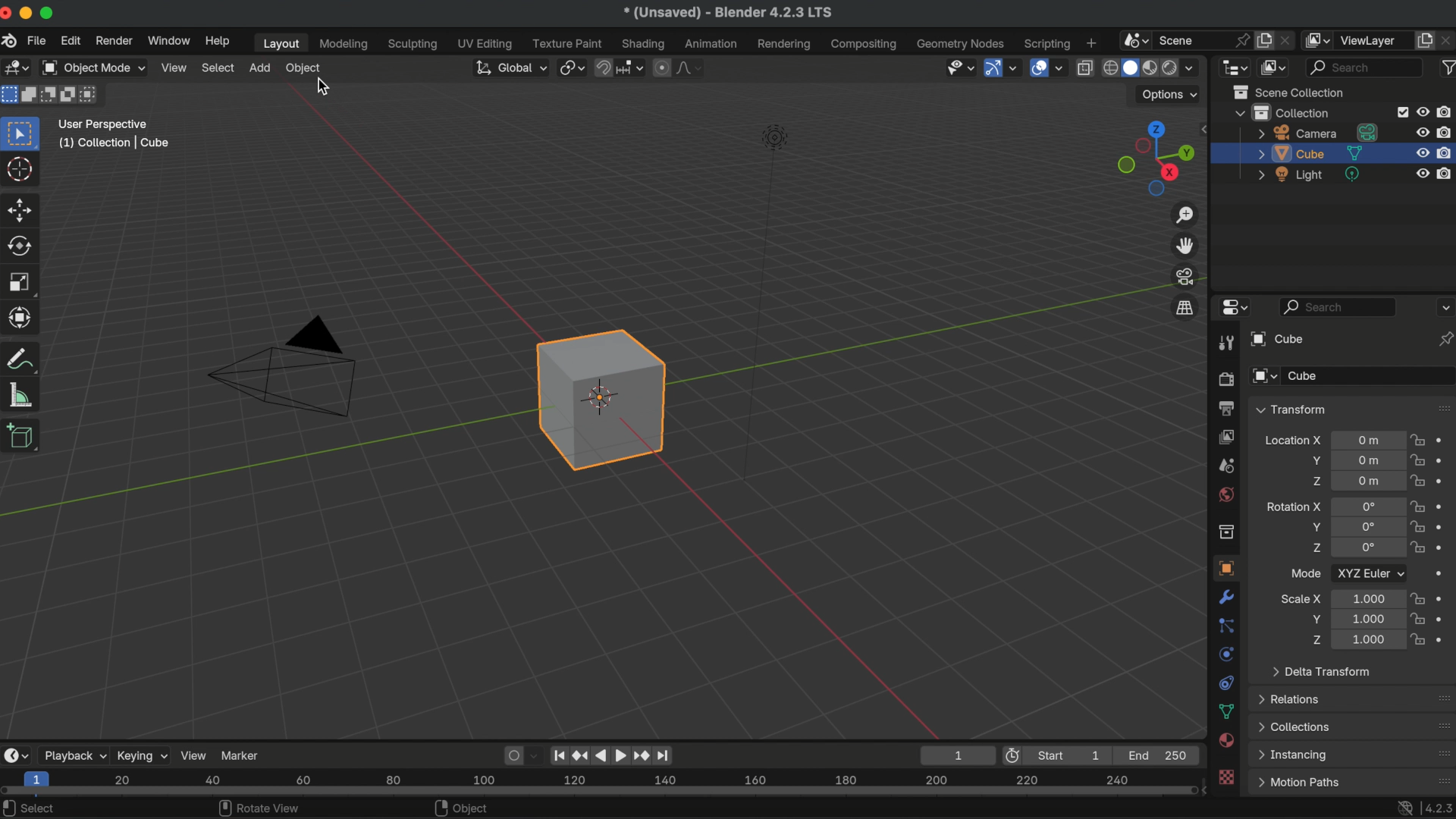  What do you see at coordinates (92, 94) in the screenshot?
I see `mode intersect existing condition` at bounding box center [92, 94].